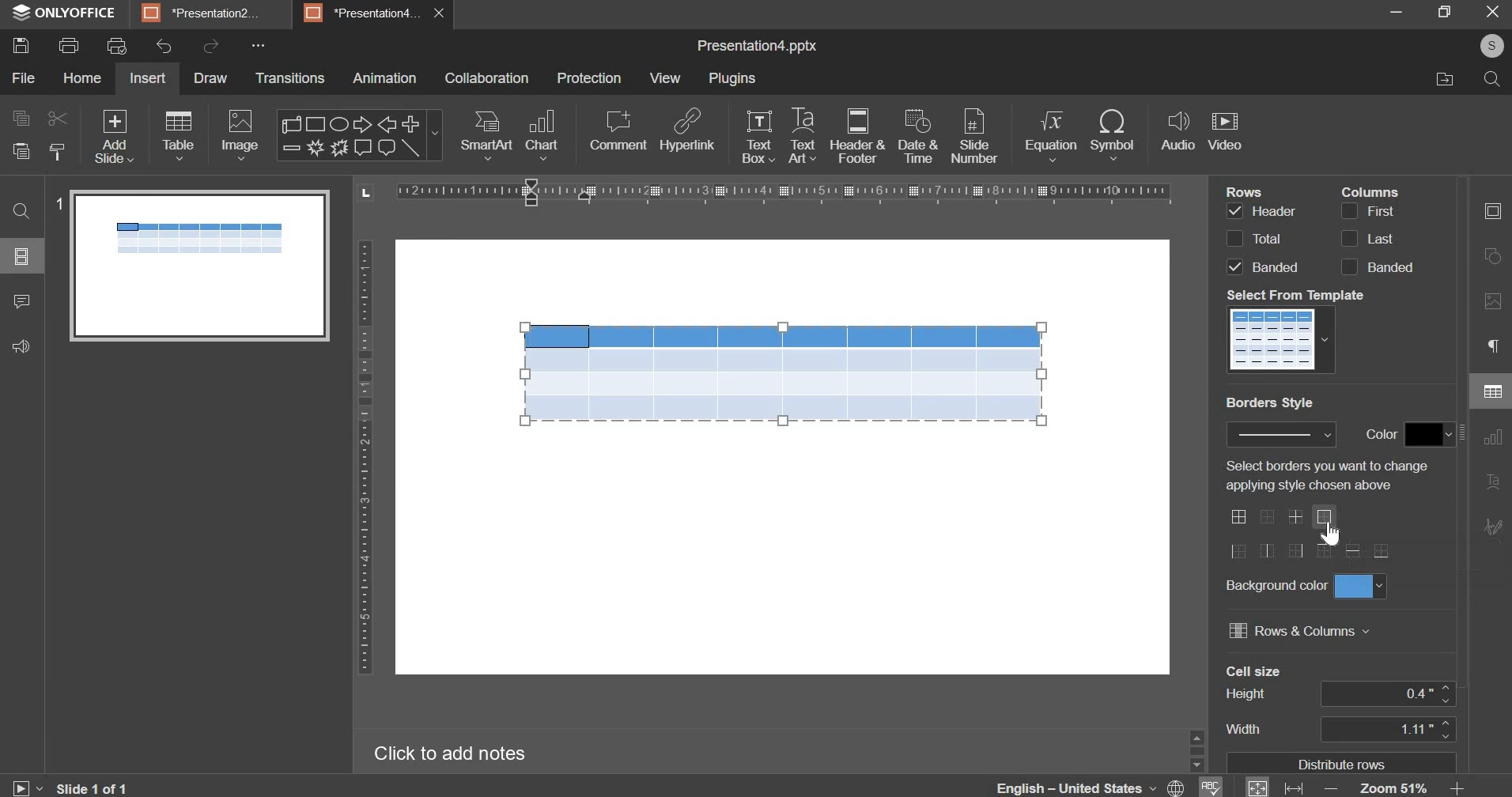 Image resolution: width=1512 pixels, height=797 pixels. Describe the element at coordinates (117, 47) in the screenshot. I see `print preview` at that location.